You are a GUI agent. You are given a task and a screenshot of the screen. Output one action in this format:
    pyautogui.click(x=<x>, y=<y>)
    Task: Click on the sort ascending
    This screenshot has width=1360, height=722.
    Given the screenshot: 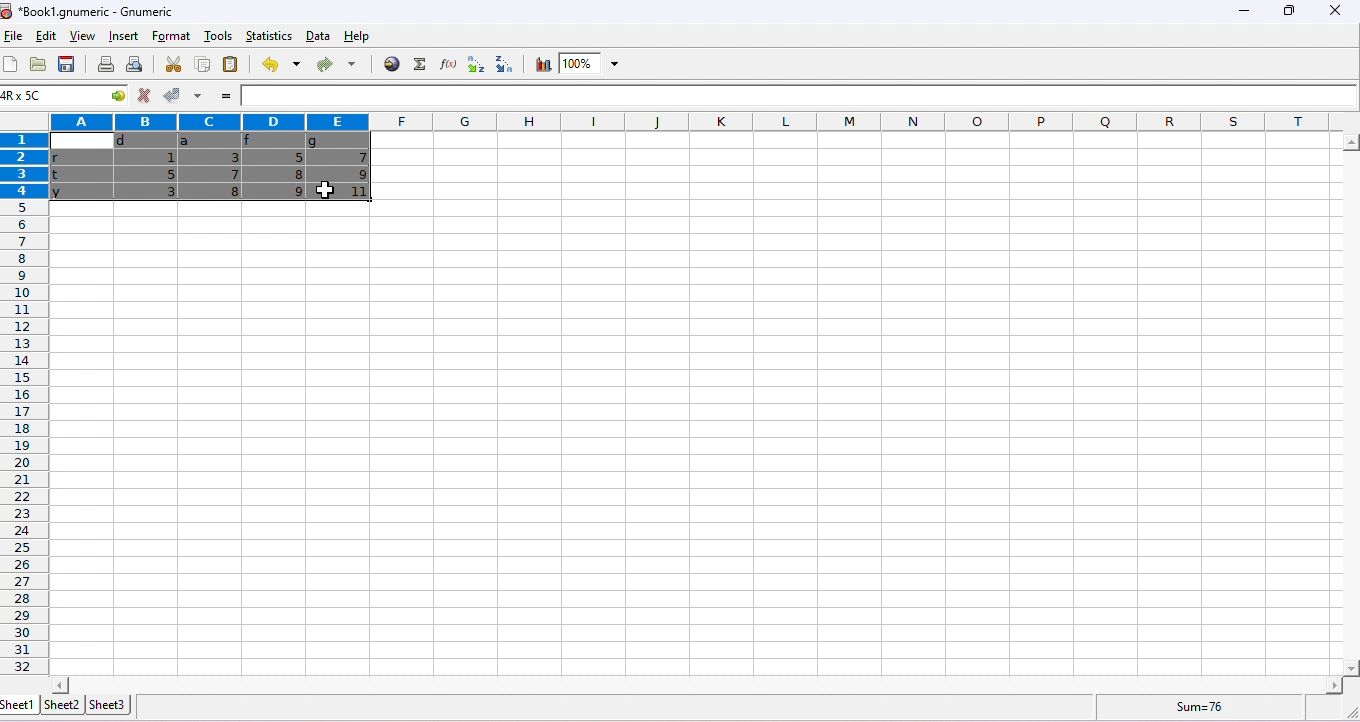 What is the action you would take?
    pyautogui.click(x=472, y=65)
    